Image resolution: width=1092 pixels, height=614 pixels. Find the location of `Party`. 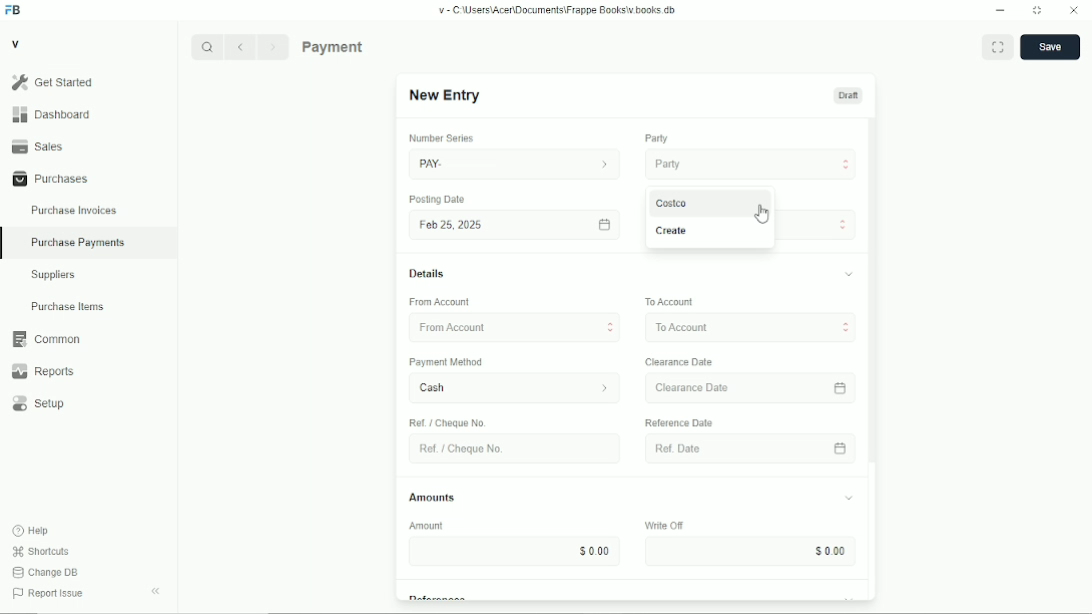

Party is located at coordinates (751, 162).